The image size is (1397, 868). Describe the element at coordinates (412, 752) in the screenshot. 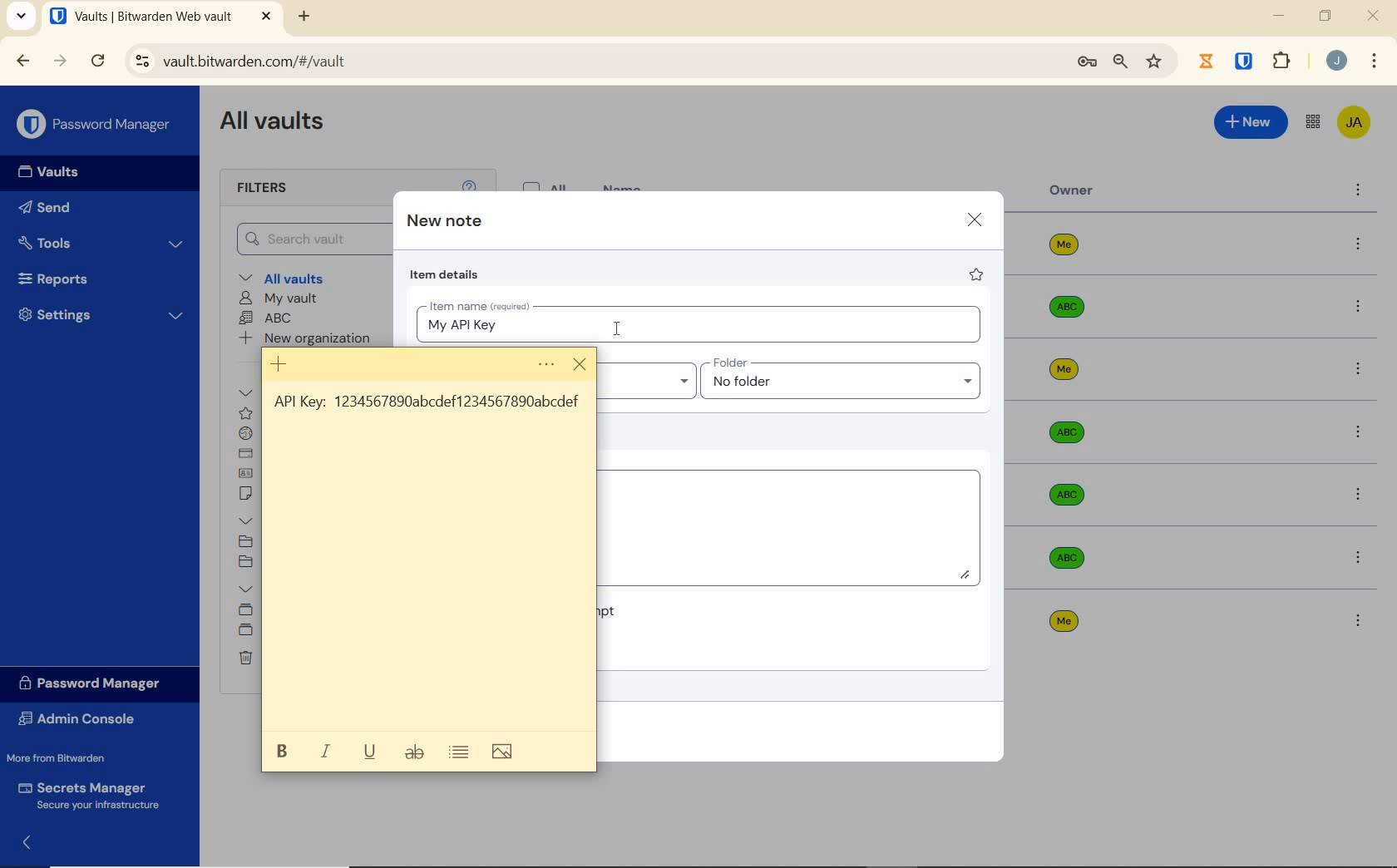

I see `strikethrough` at that location.